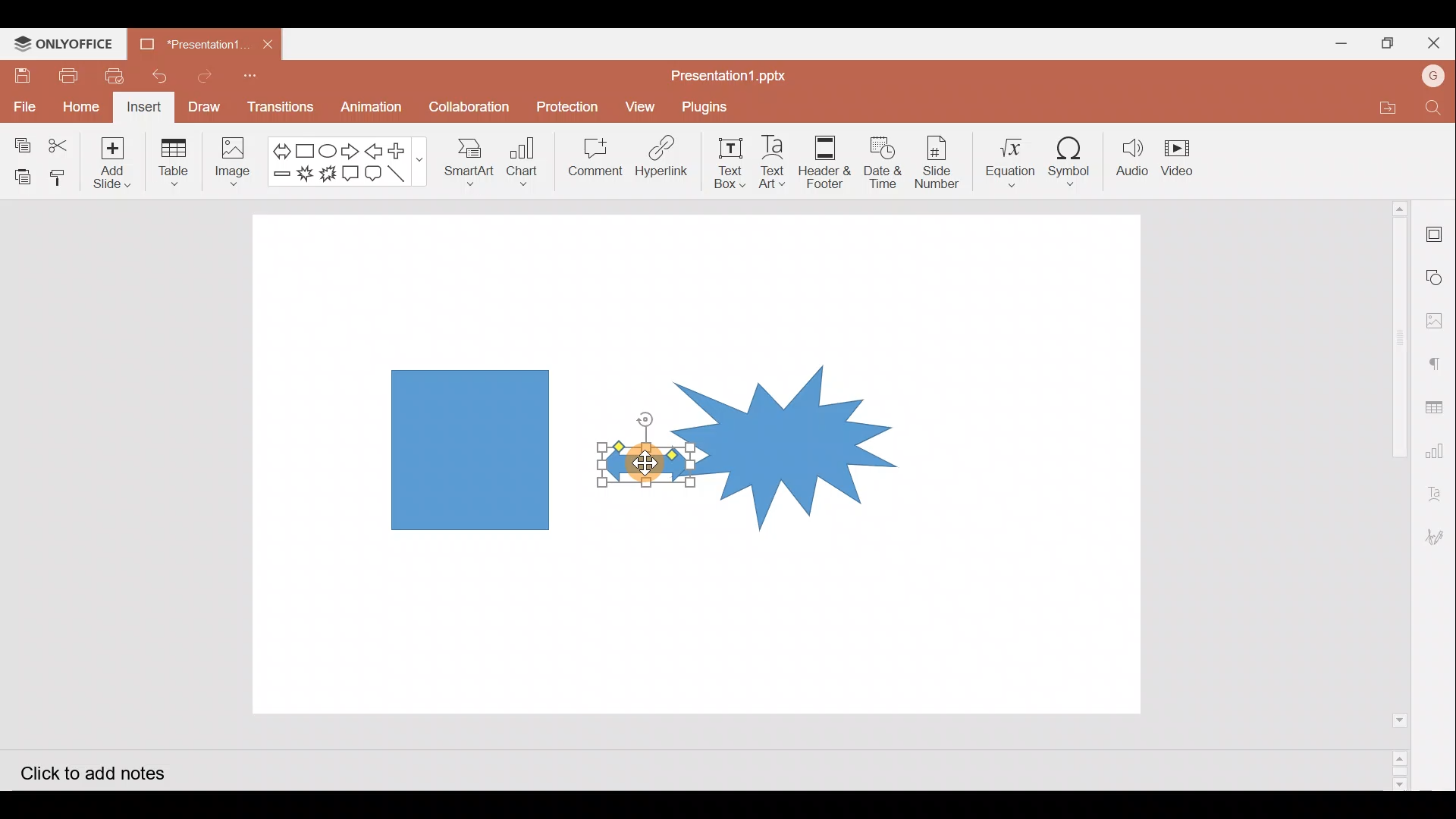 This screenshot has height=819, width=1456. Describe the element at coordinates (1393, 494) in the screenshot. I see `Scroll bar` at that location.